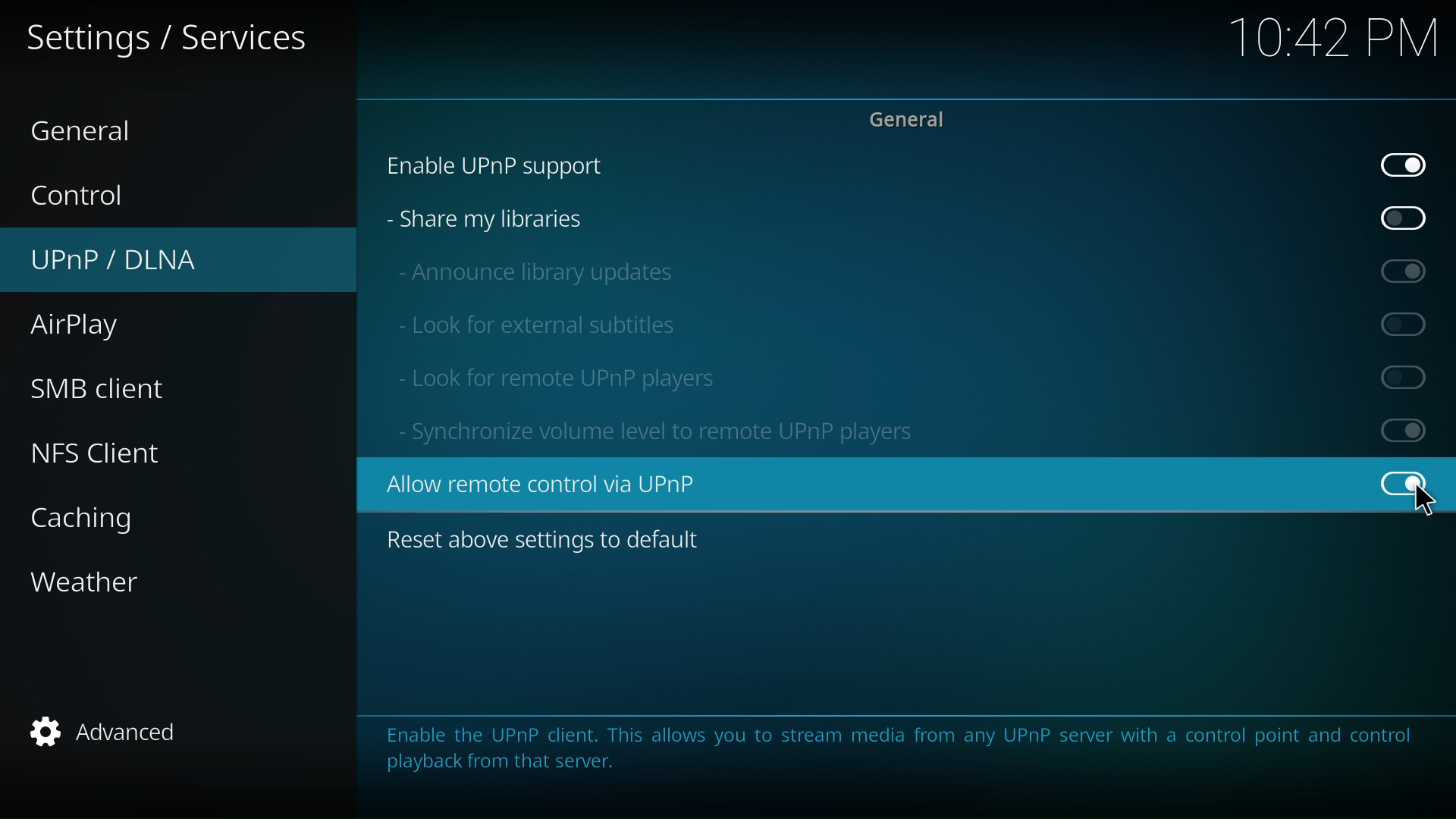  Describe the element at coordinates (895, 749) in the screenshot. I see `Enable the UPnP client. This allows you to stream media from any UPnP server with a control point and control
playback from that server.` at that location.